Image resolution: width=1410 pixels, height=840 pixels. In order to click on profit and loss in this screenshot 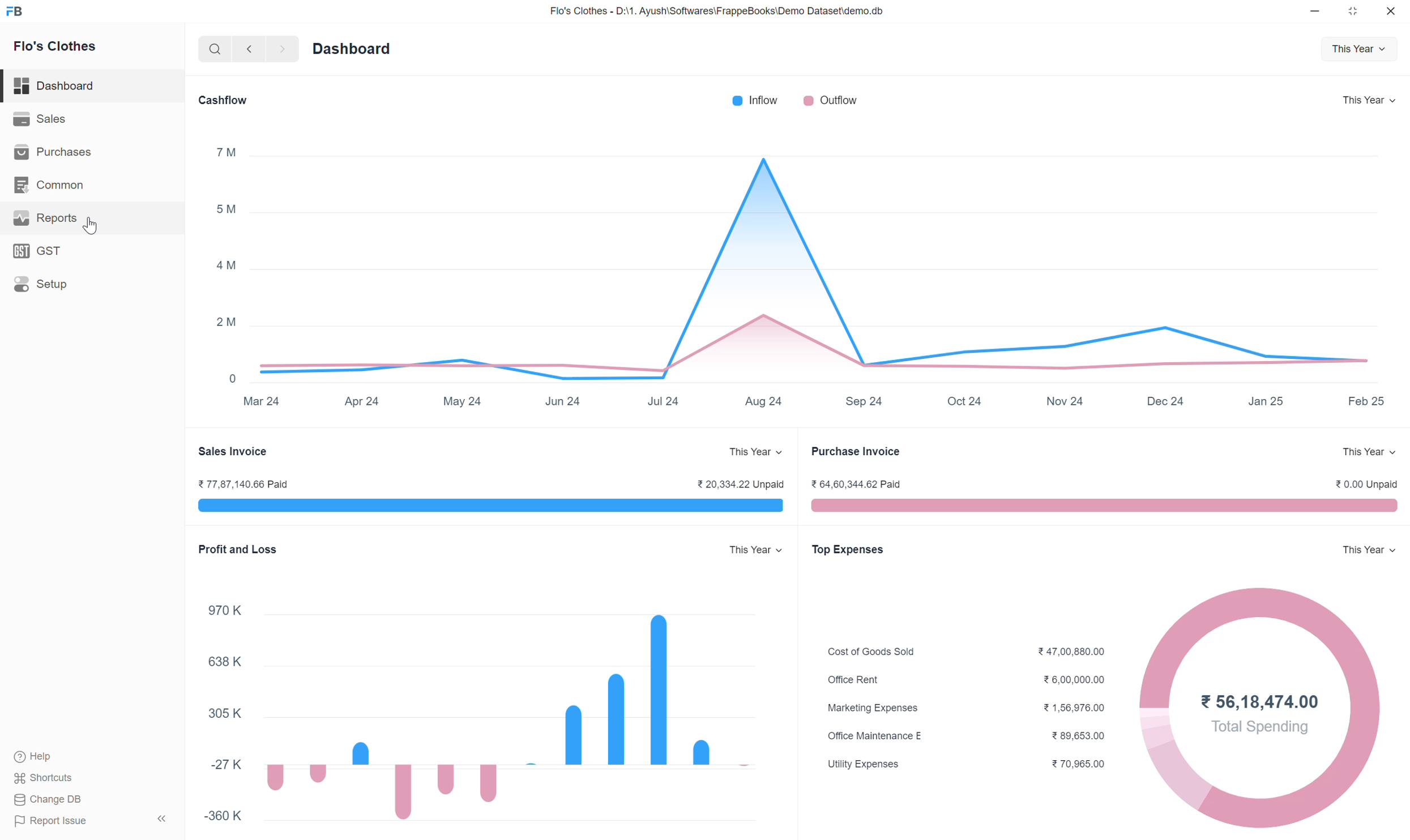, I will do `click(239, 550)`.